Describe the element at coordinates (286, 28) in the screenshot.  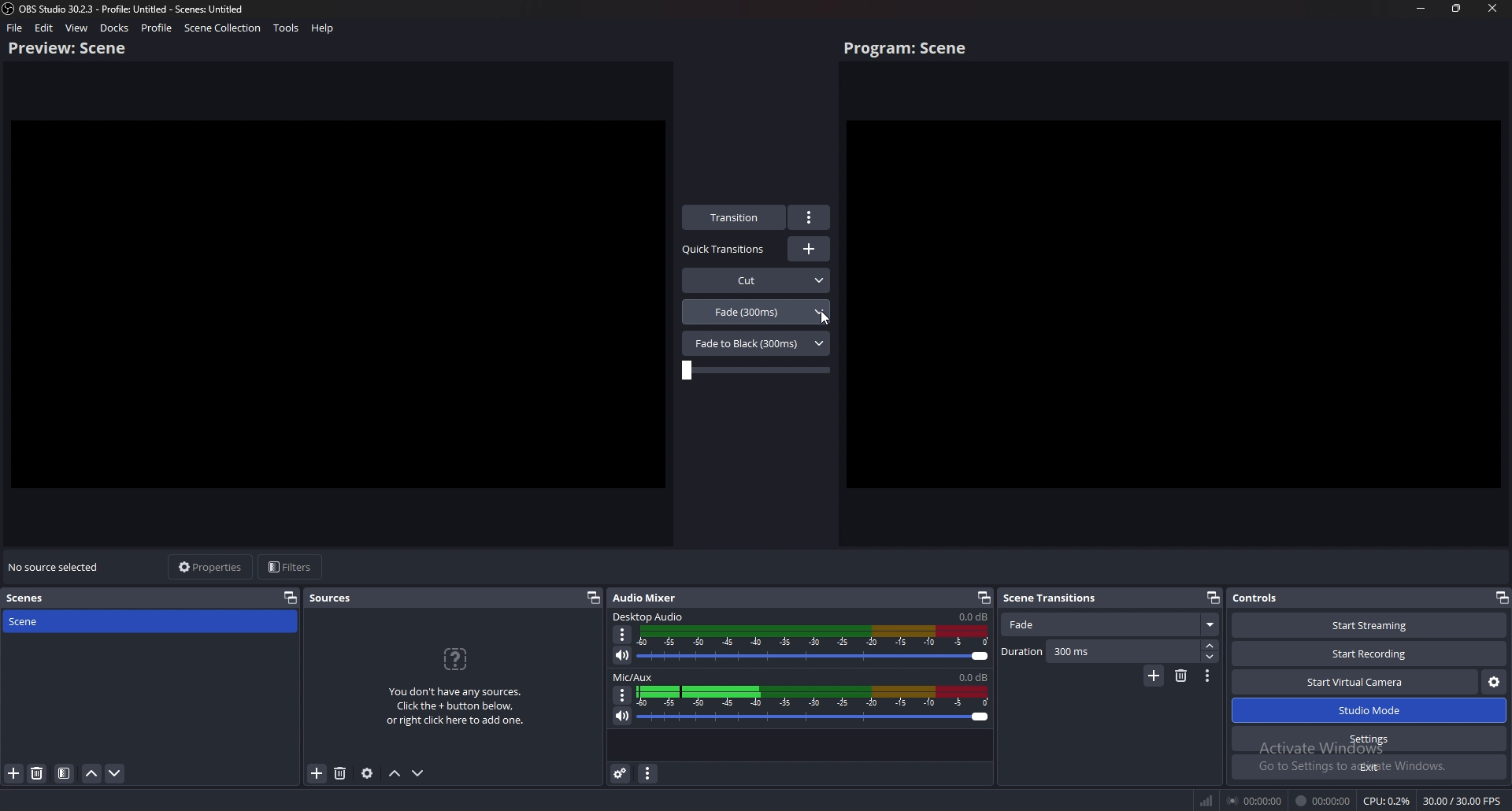
I see `tools` at that location.